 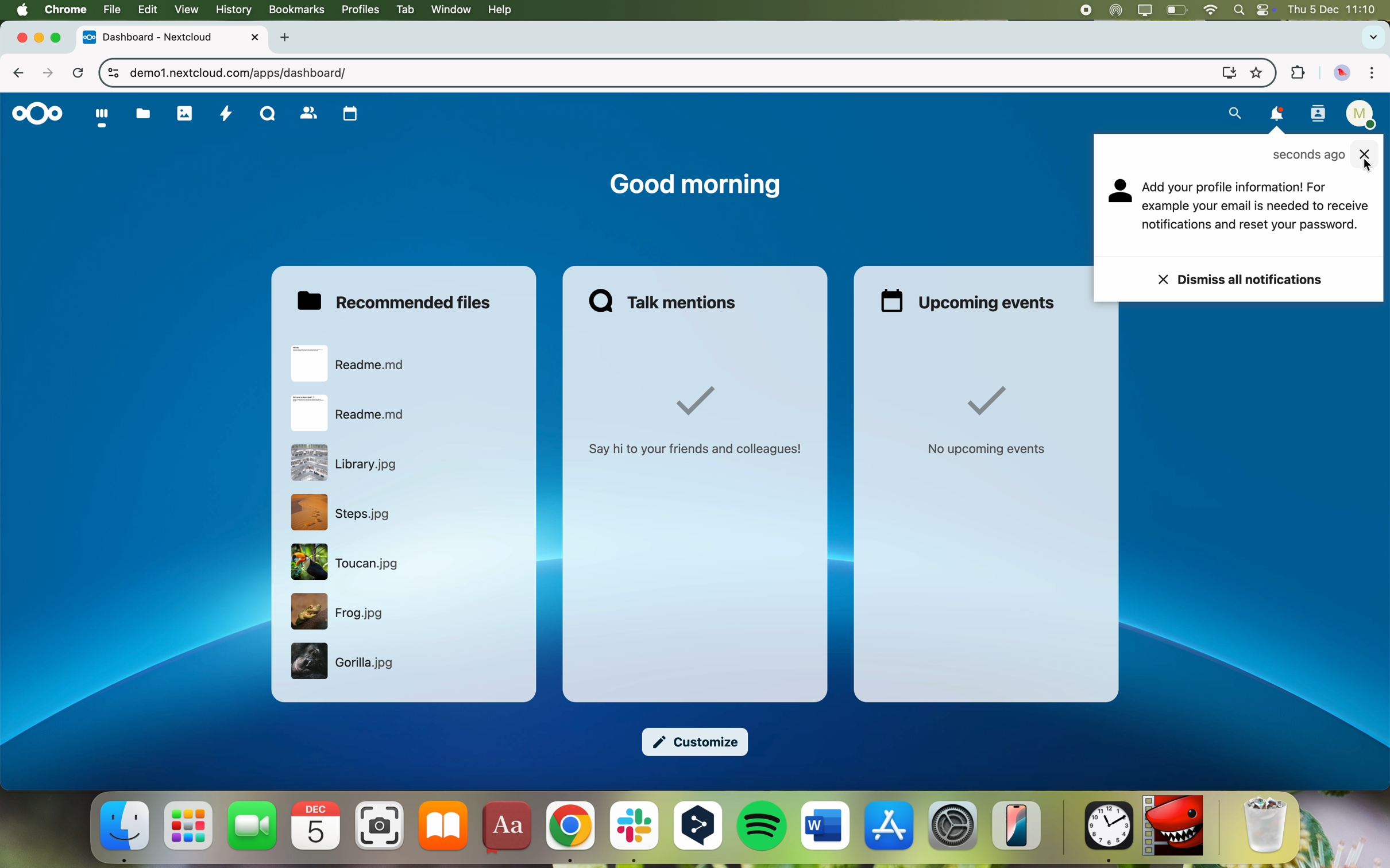 I want to click on camera, so click(x=380, y=826).